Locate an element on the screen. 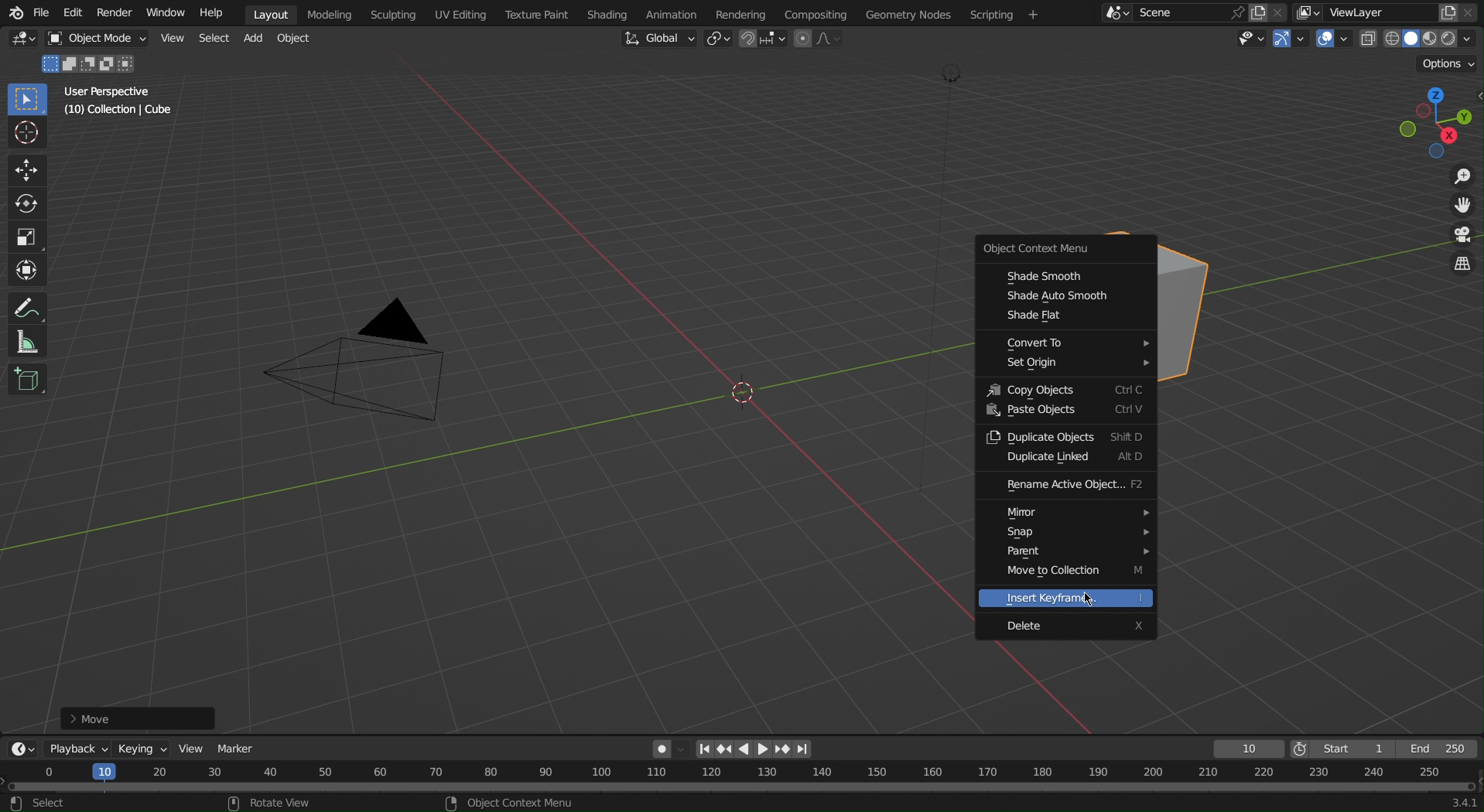 The width and height of the screenshot is (1484, 812). Paste Objects is located at coordinates (1065, 414).